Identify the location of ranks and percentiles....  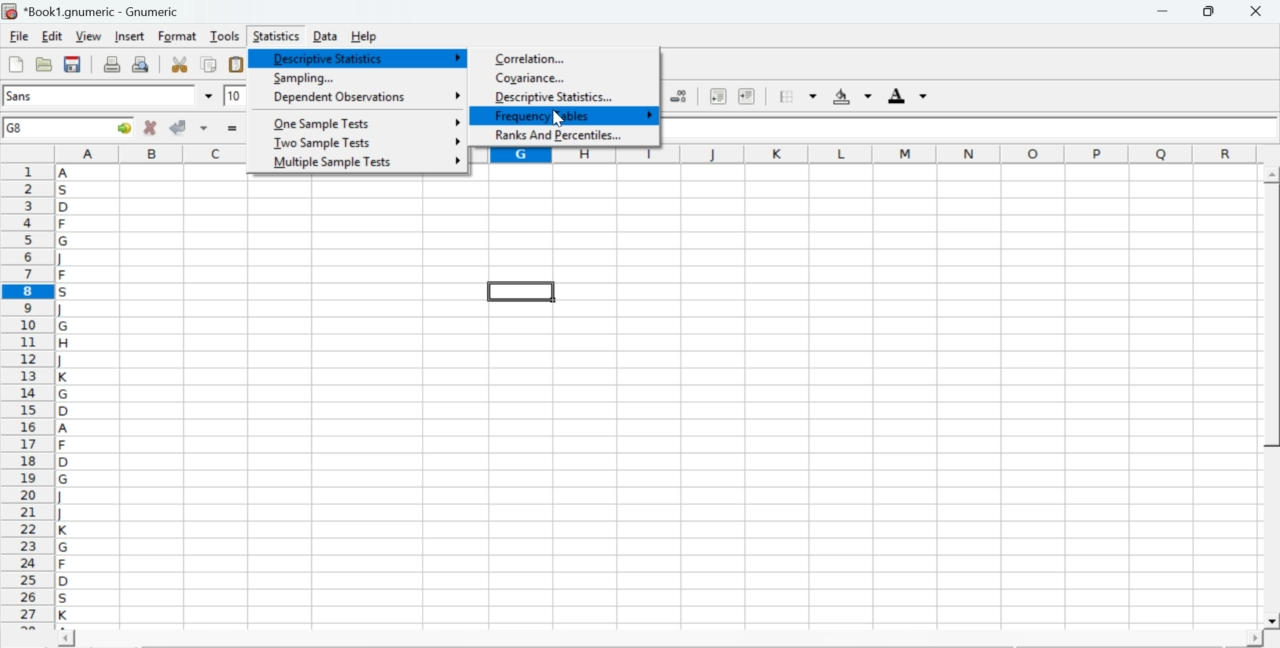
(561, 136).